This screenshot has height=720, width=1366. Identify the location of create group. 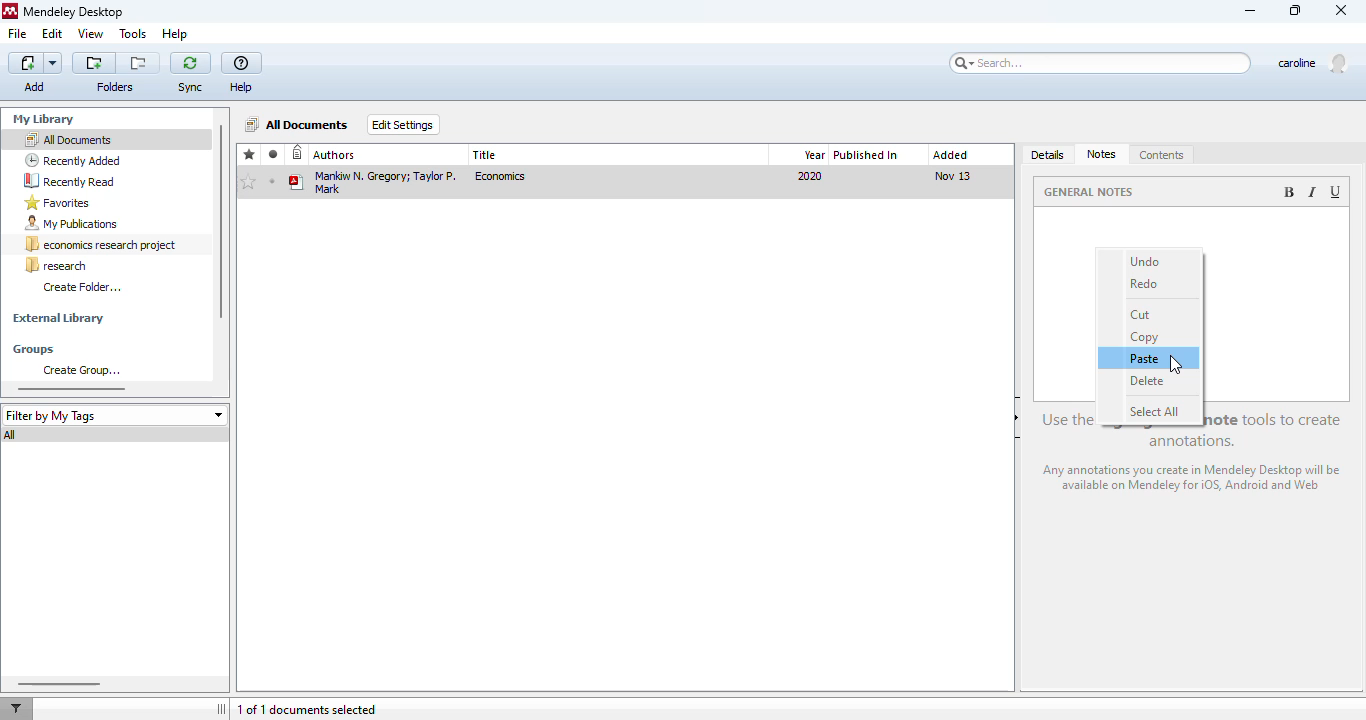
(81, 370).